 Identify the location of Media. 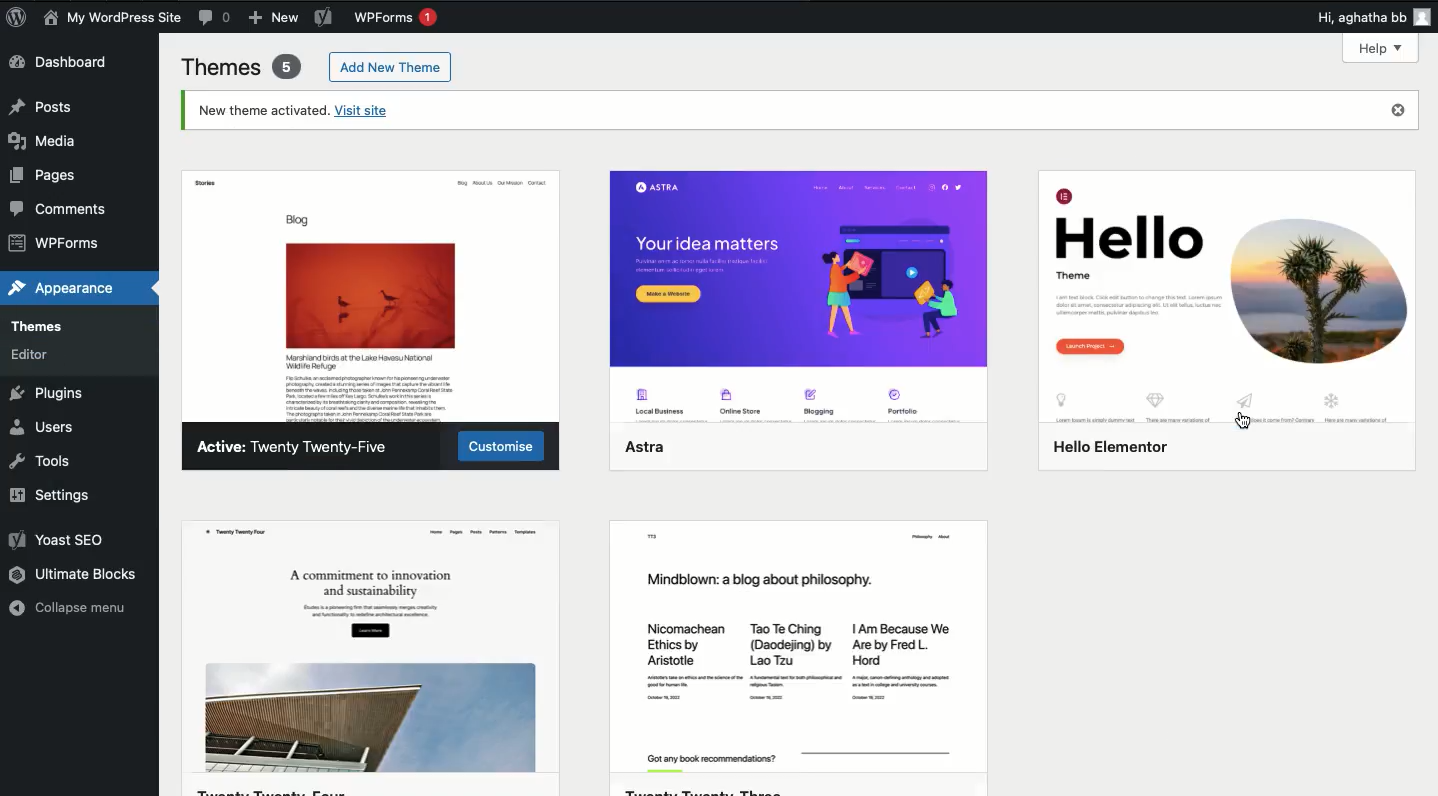
(49, 140).